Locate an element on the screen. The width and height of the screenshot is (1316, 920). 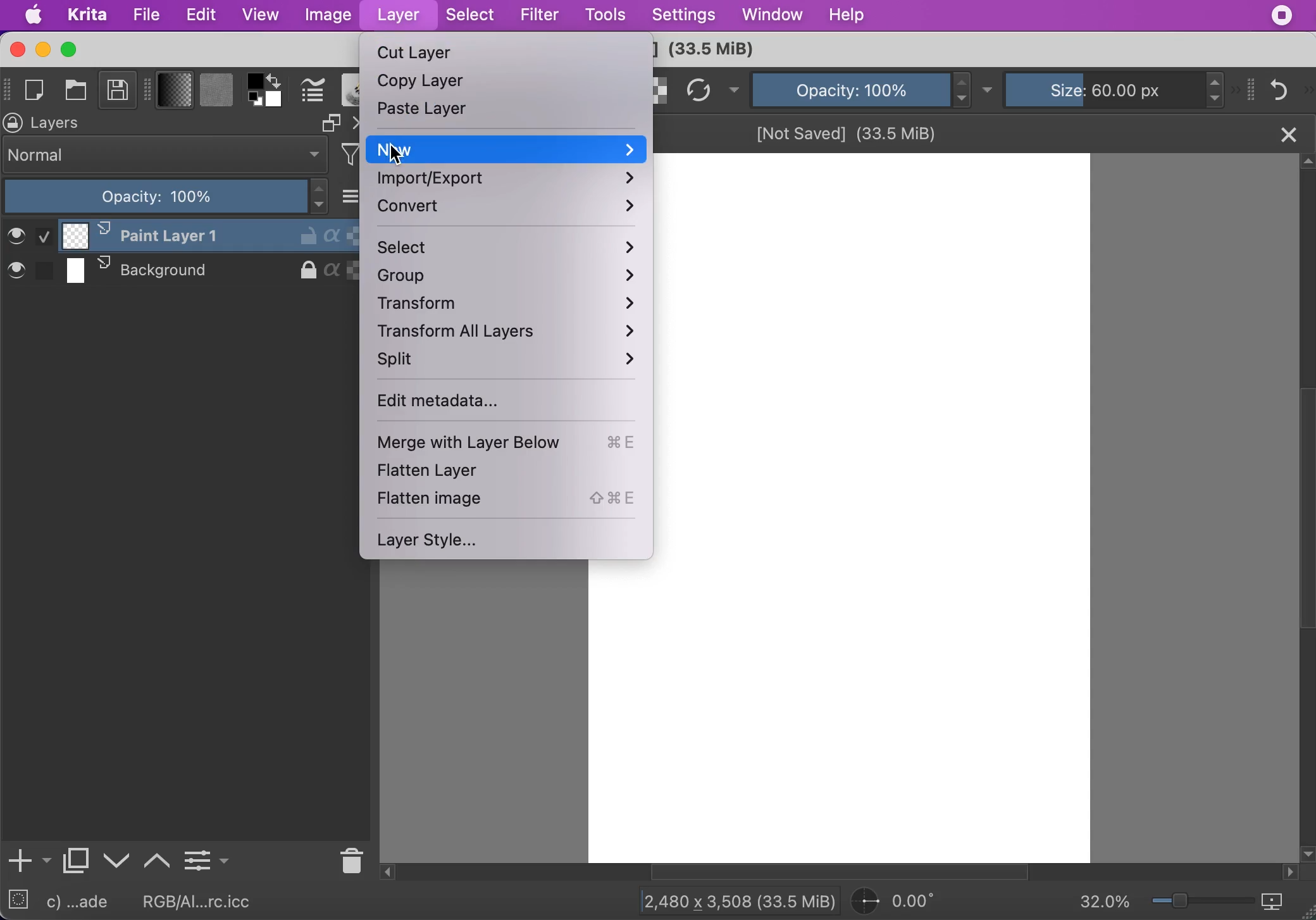
size is located at coordinates (1108, 88).